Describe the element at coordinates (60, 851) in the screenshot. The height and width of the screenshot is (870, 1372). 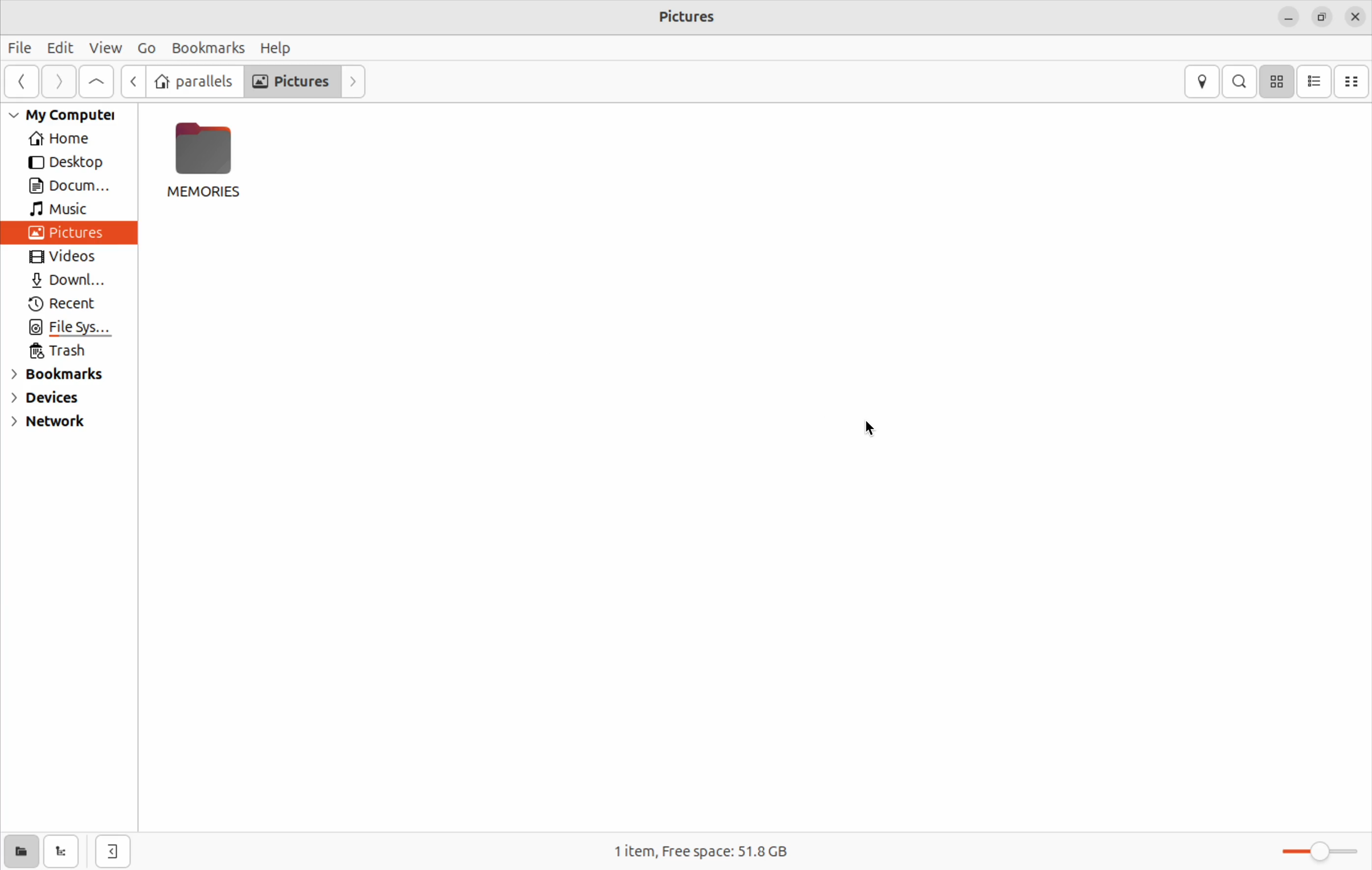
I see `show tree view` at that location.